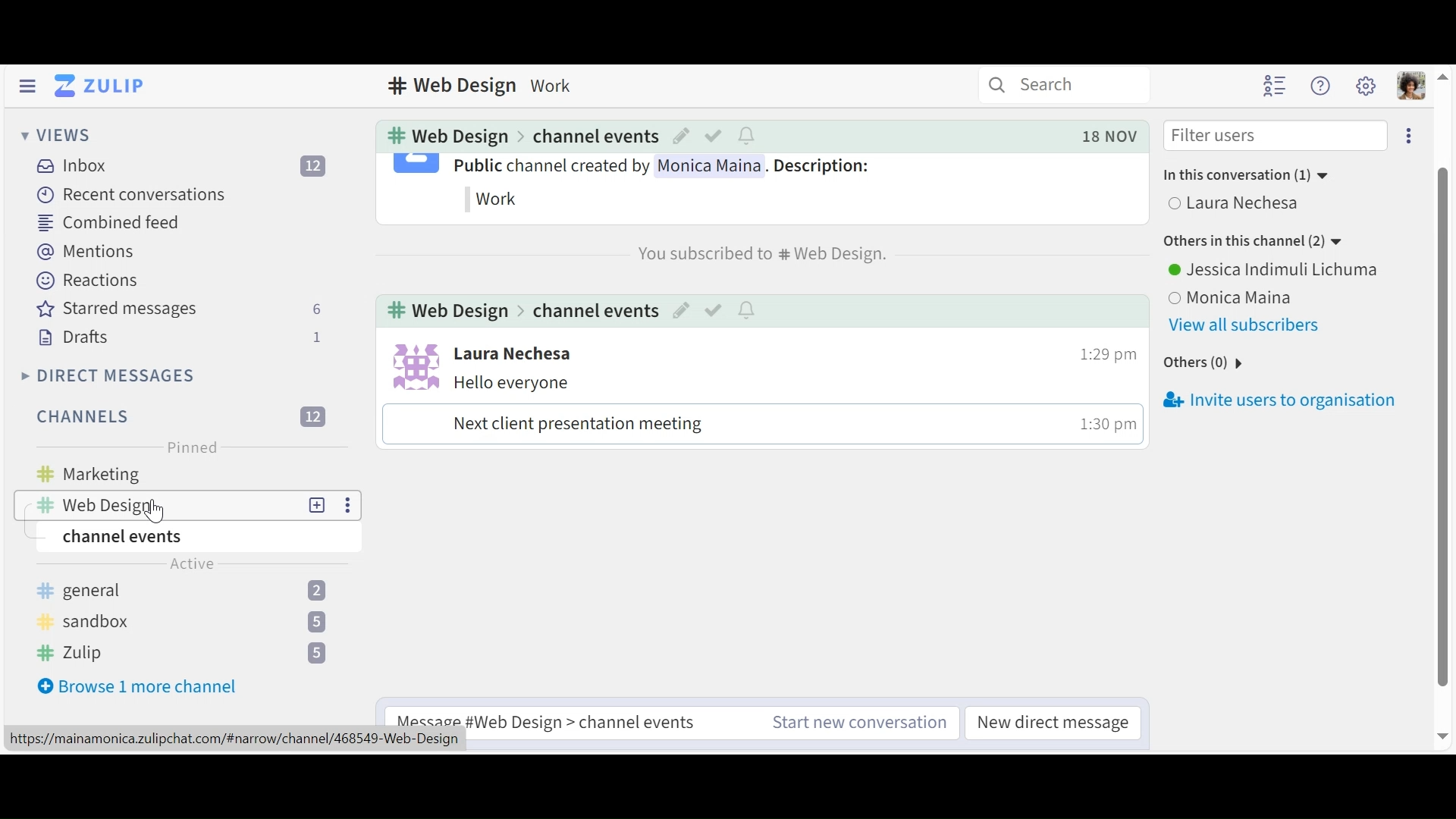 This screenshot has height=819, width=1456. What do you see at coordinates (1367, 84) in the screenshot?
I see `Settings` at bounding box center [1367, 84].